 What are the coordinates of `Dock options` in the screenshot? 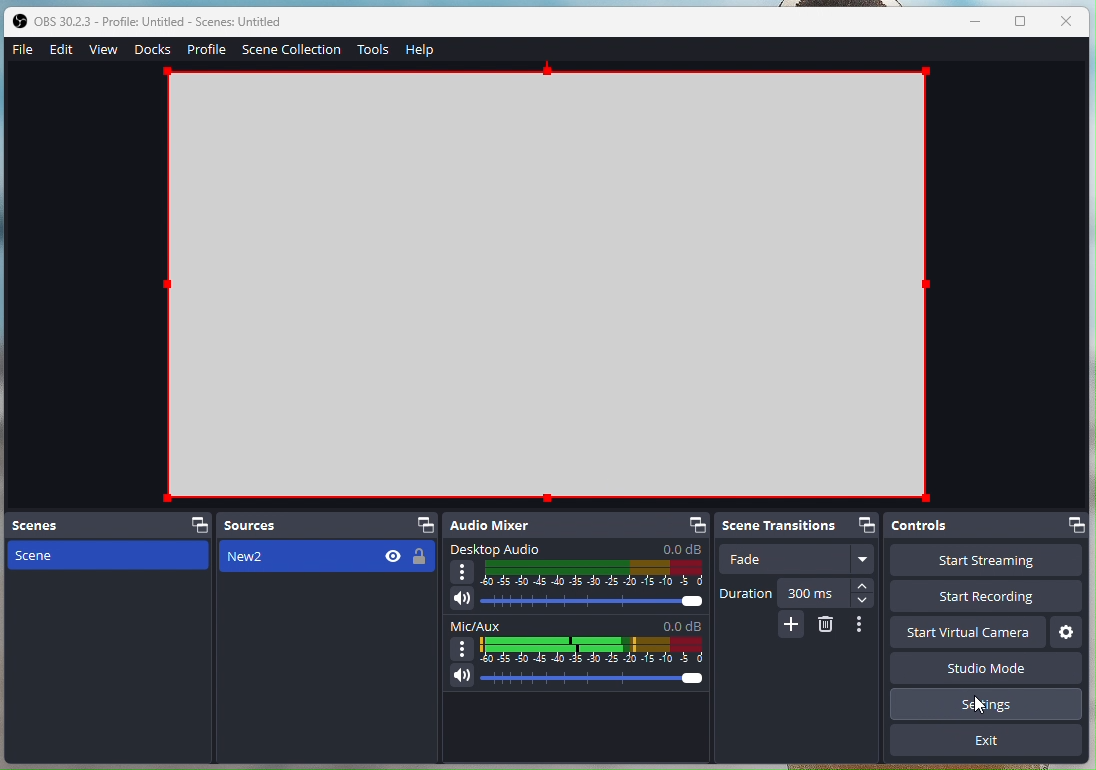 It's located at (864, 522).